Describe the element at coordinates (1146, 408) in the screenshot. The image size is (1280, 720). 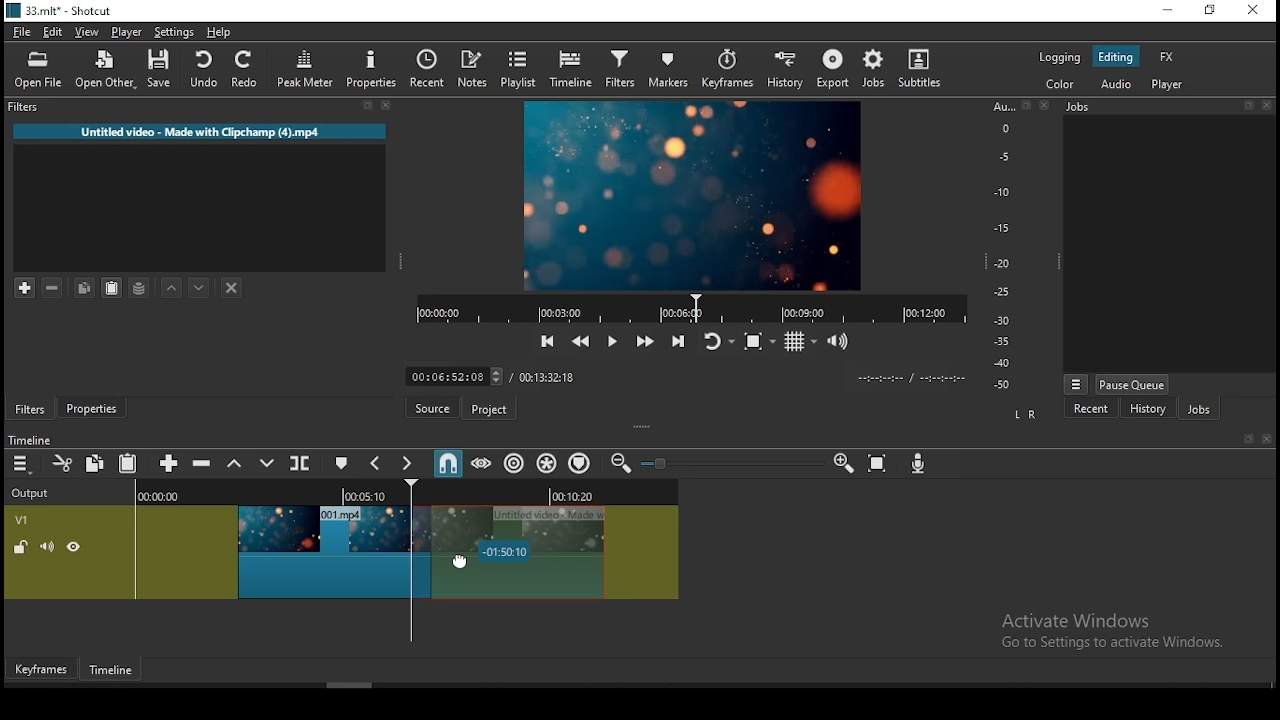
I see `history` at that location.